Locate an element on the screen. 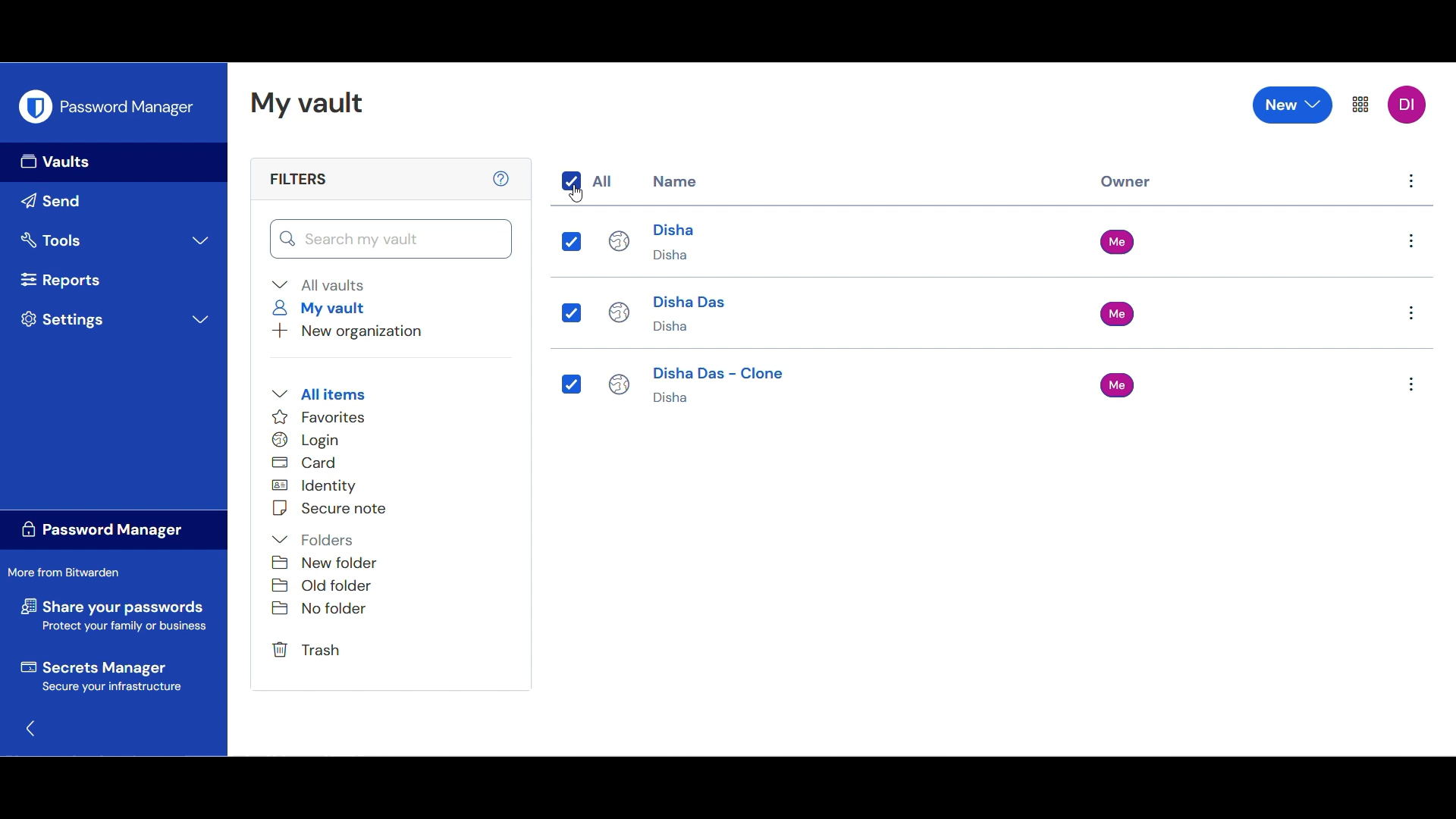 This screenshot has height=819, width=1456. Me is located at coordinates (1118, 384).